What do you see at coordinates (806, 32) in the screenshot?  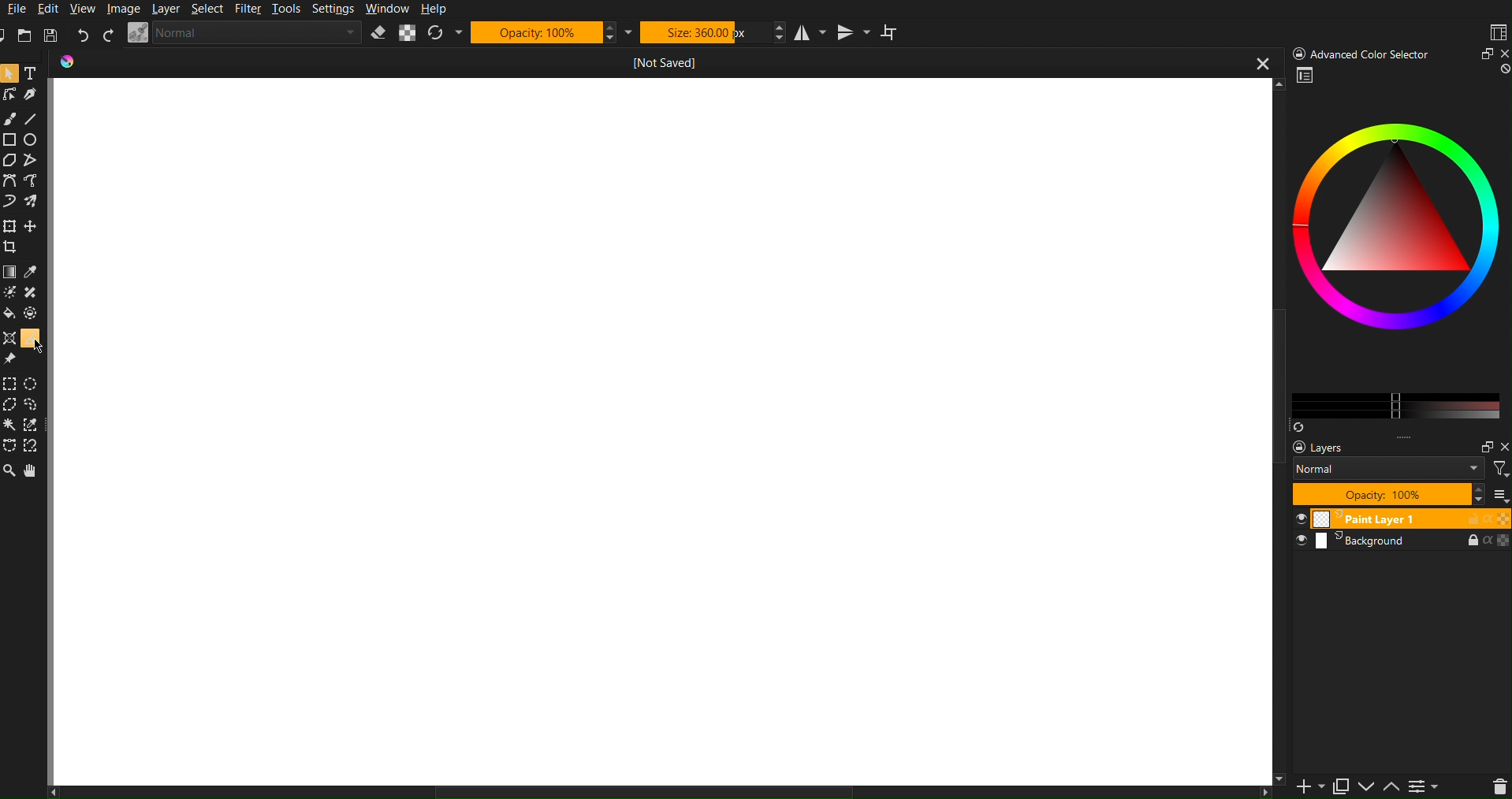 I see `Horizontal Mirror` at bounding box center [806, 32].